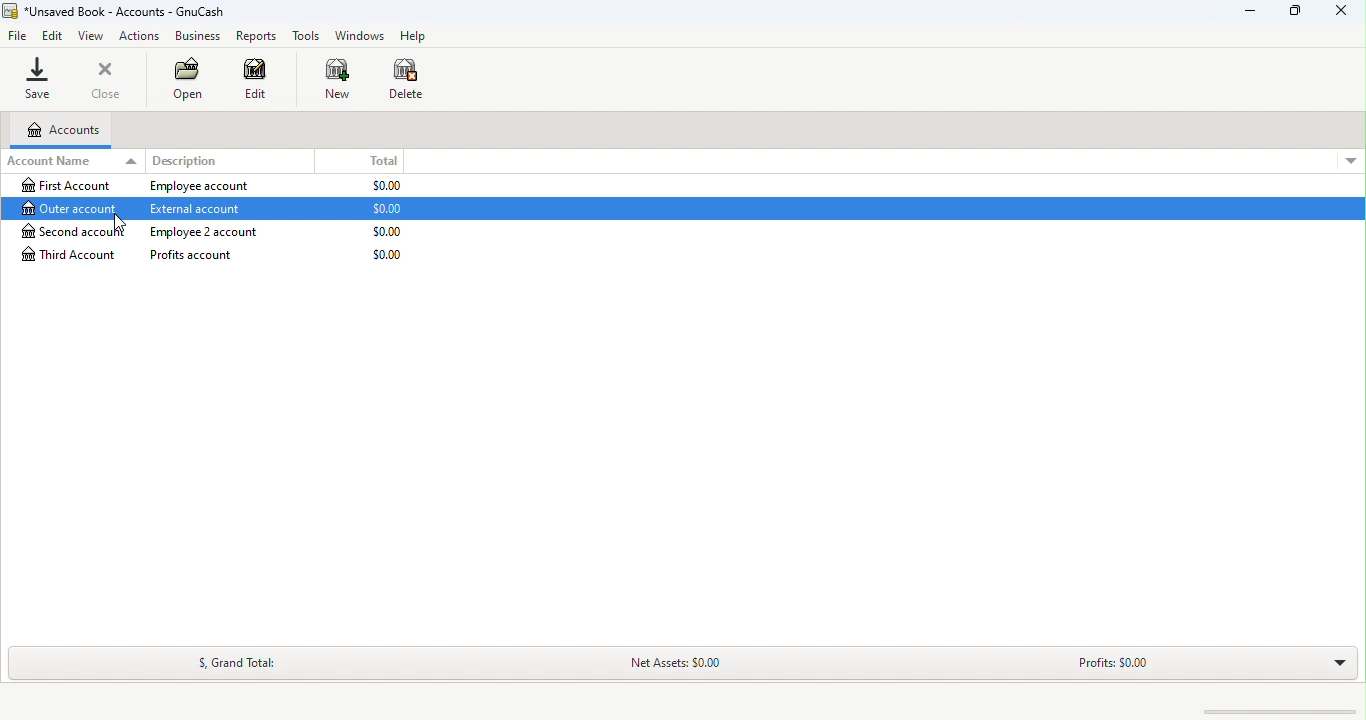 This screenshot has width=1366, height=720. What do you see at coordinates (1333, 661) in the screenshot?
I see `Drop down menu` at bounding box center [1333, 661].